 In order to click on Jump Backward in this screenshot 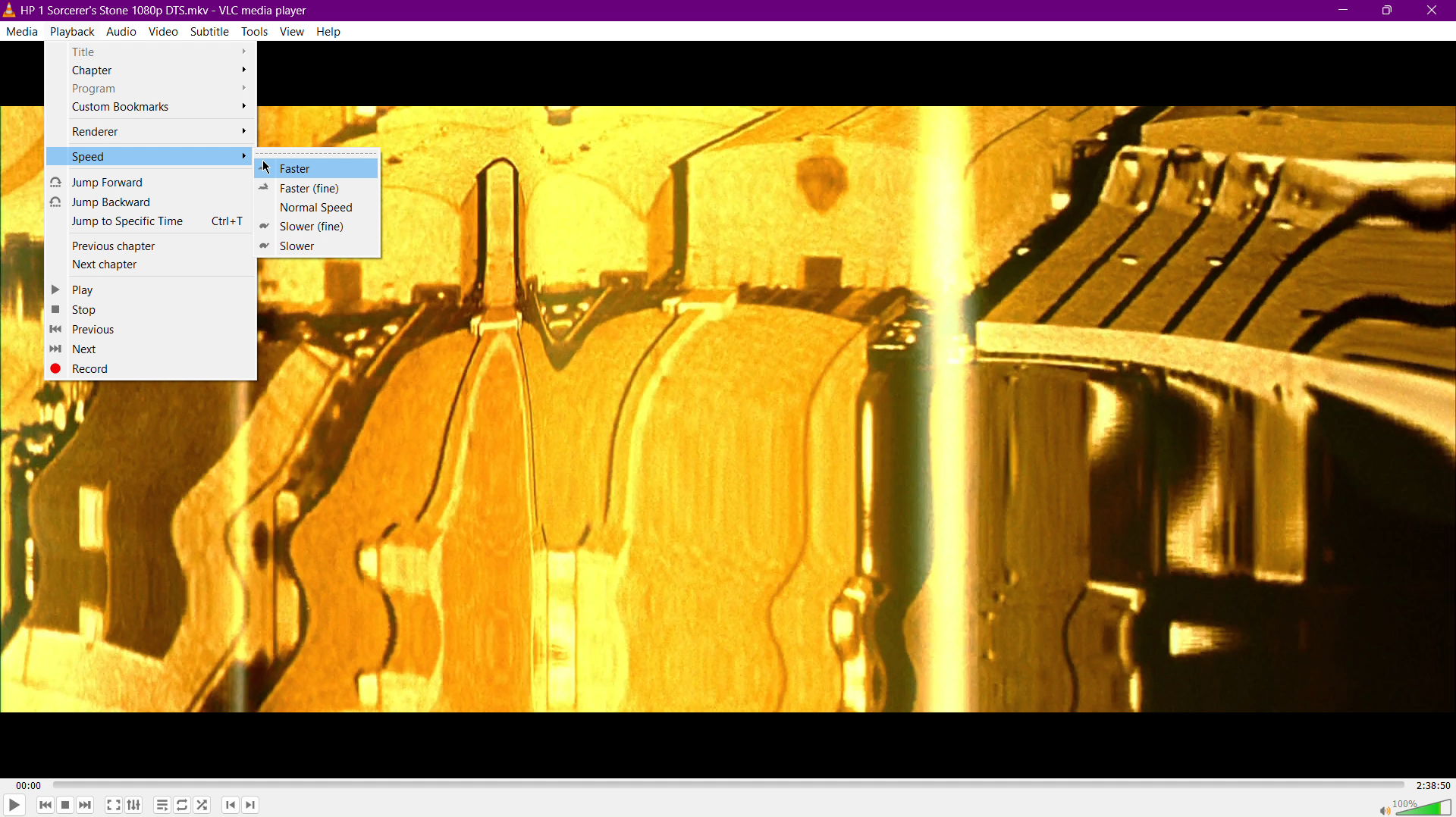, I will do `click(150, 202)`.